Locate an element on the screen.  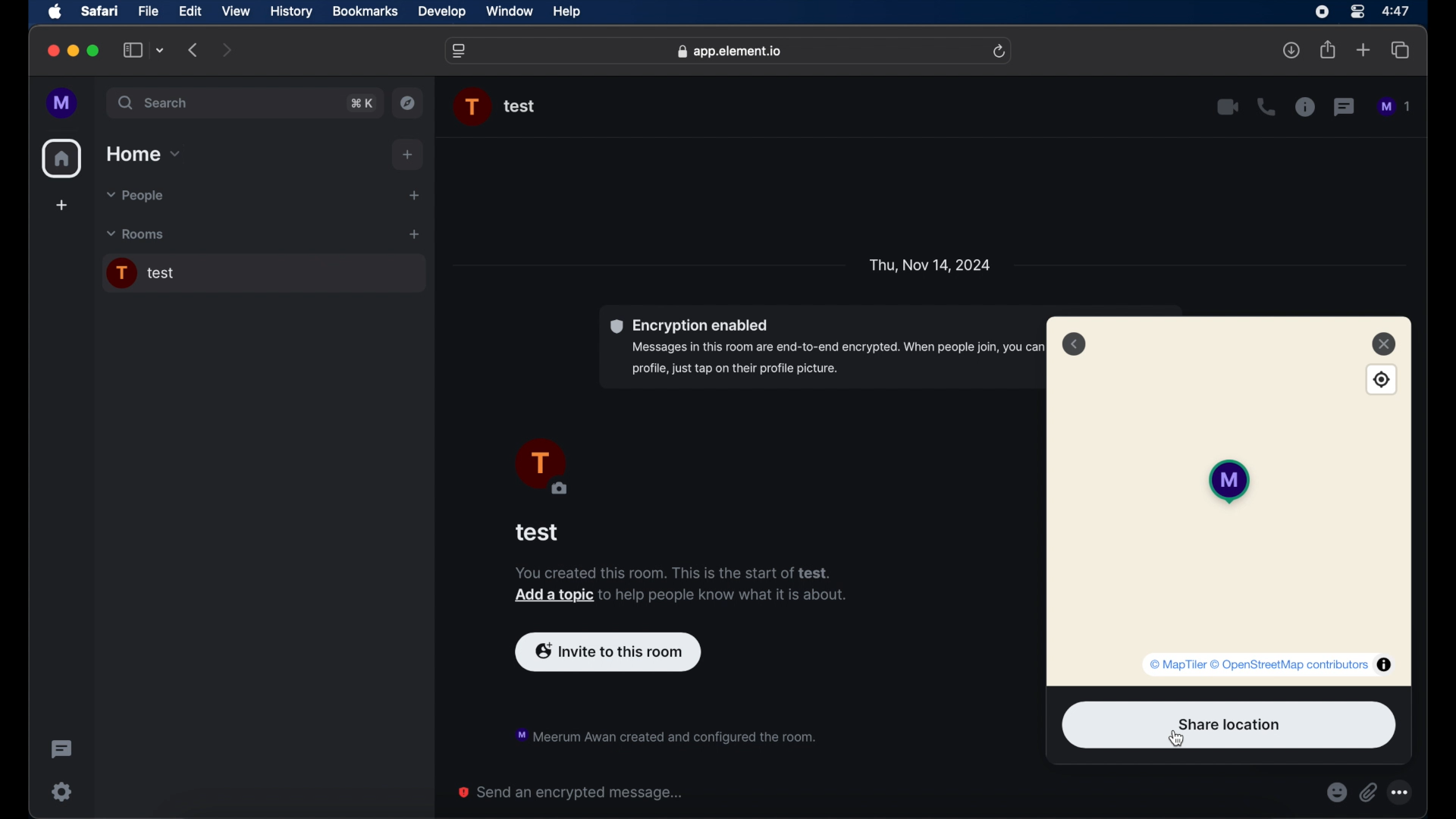
profile picture is located at coordinates (473, 107).